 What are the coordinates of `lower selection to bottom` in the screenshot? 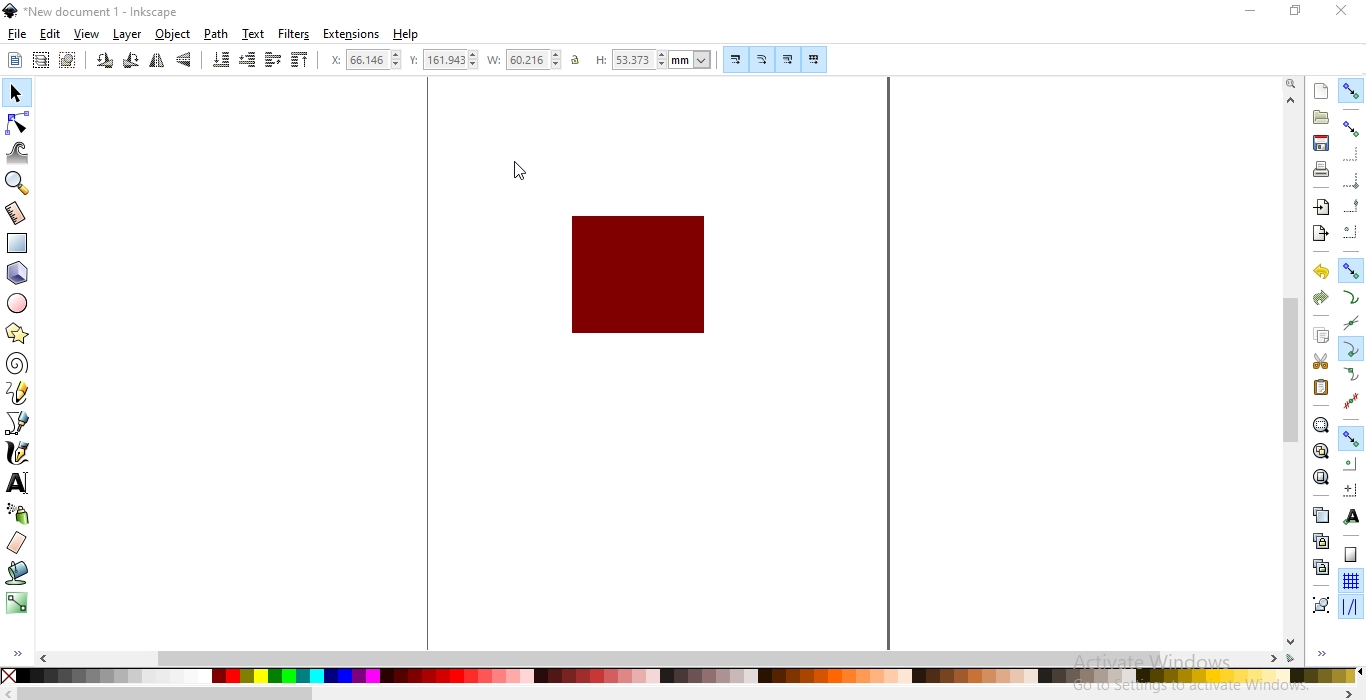 It's located at (222, 60).